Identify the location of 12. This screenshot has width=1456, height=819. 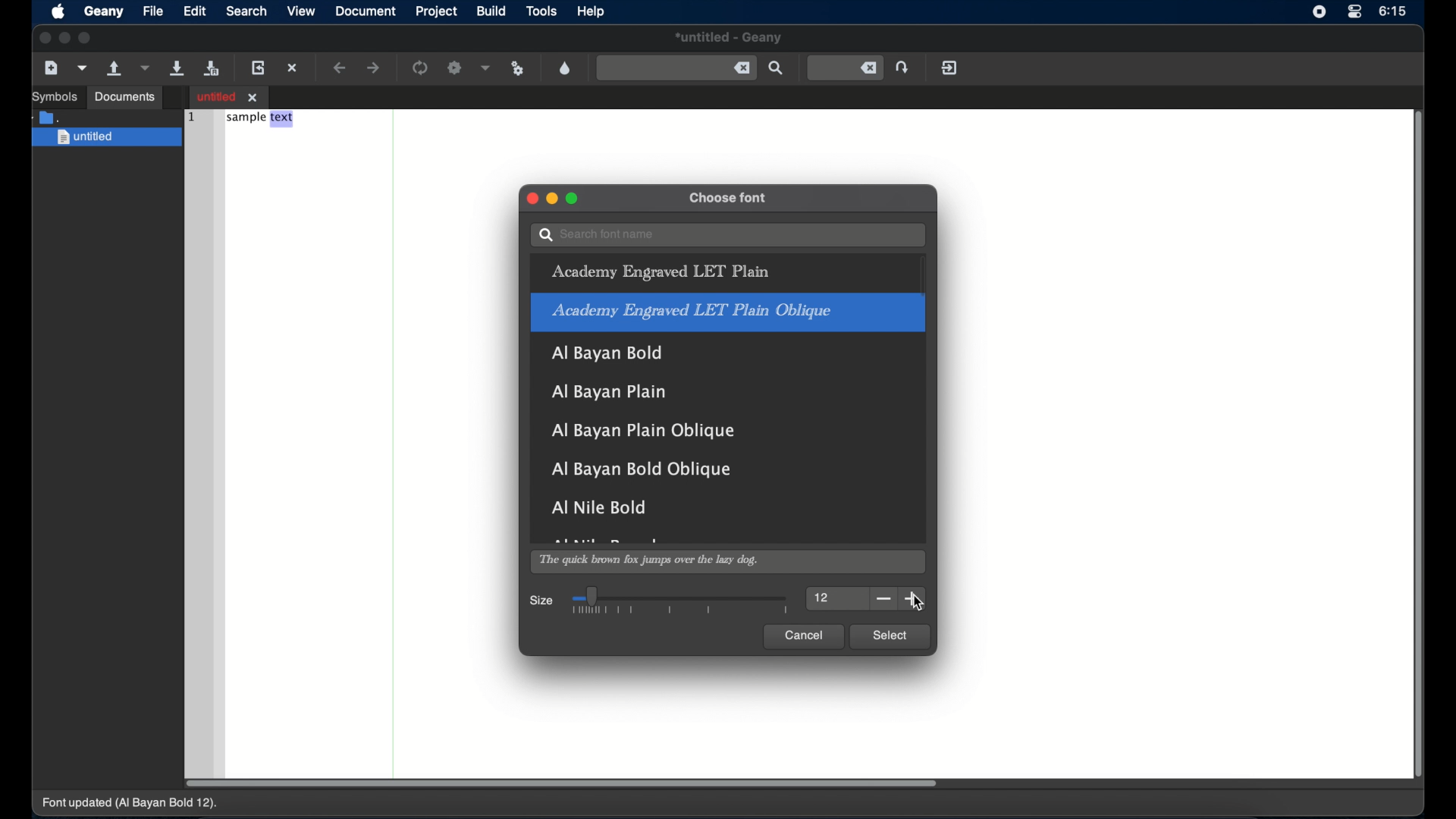
(824, 599).